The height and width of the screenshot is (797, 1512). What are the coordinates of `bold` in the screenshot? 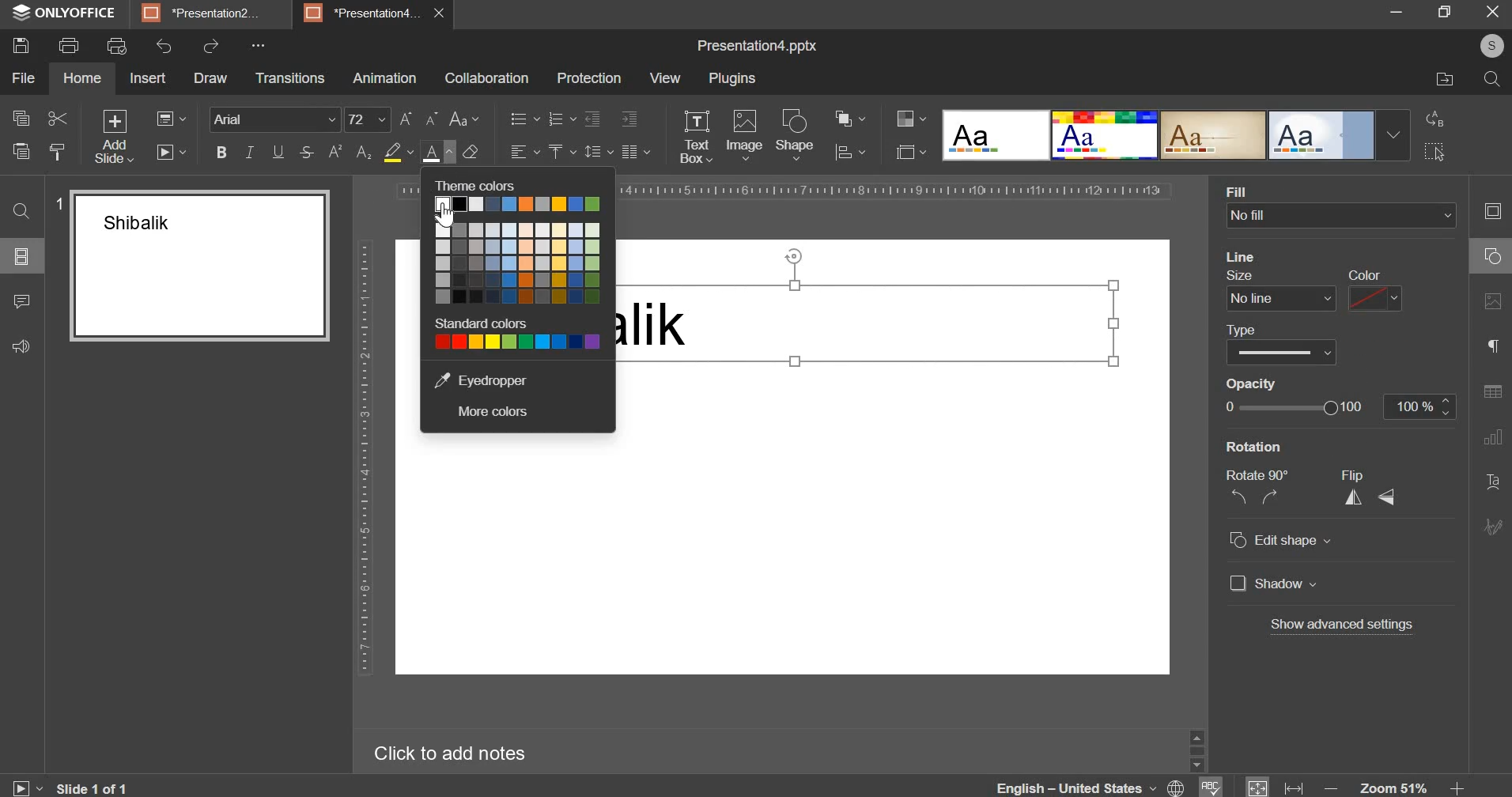 It's located at (221, 152).